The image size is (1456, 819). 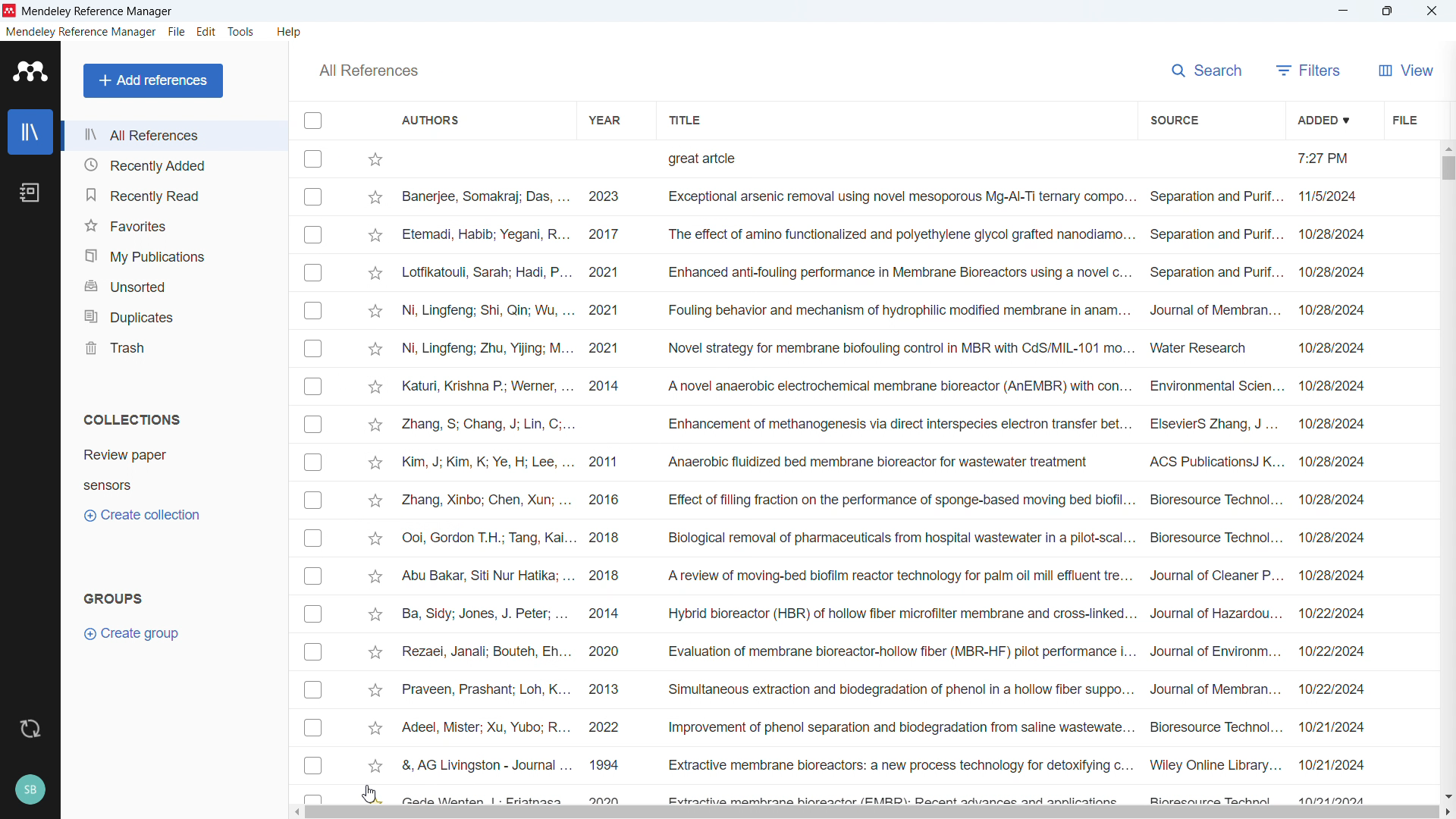 What do you see at coordinates (290, 32) in the screenshot?
I see `help ` at bounding box center [290, 32].